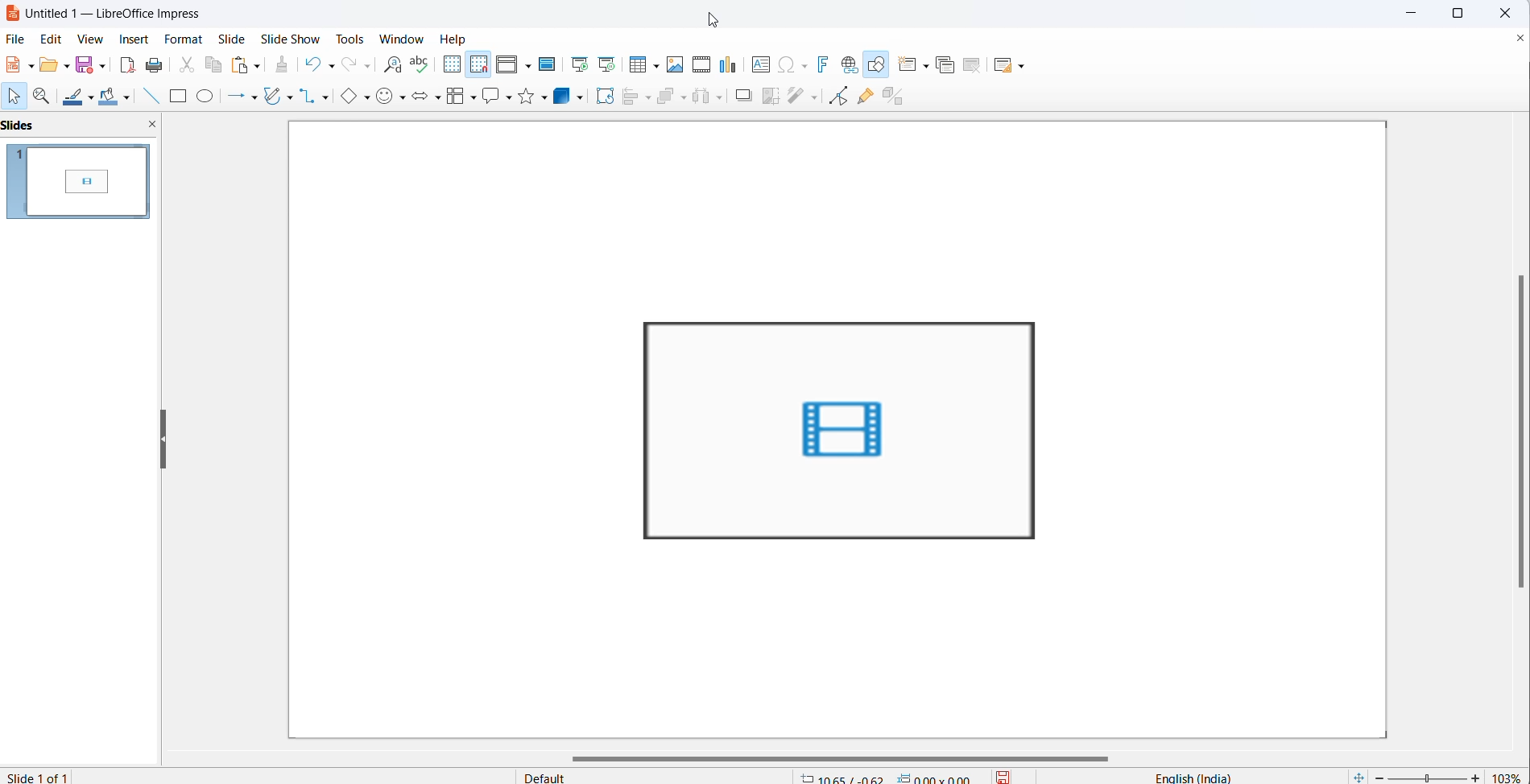  Describe the element at coordinates (289, 97) in the screenshot. I see `curves and polygons options` at that location.